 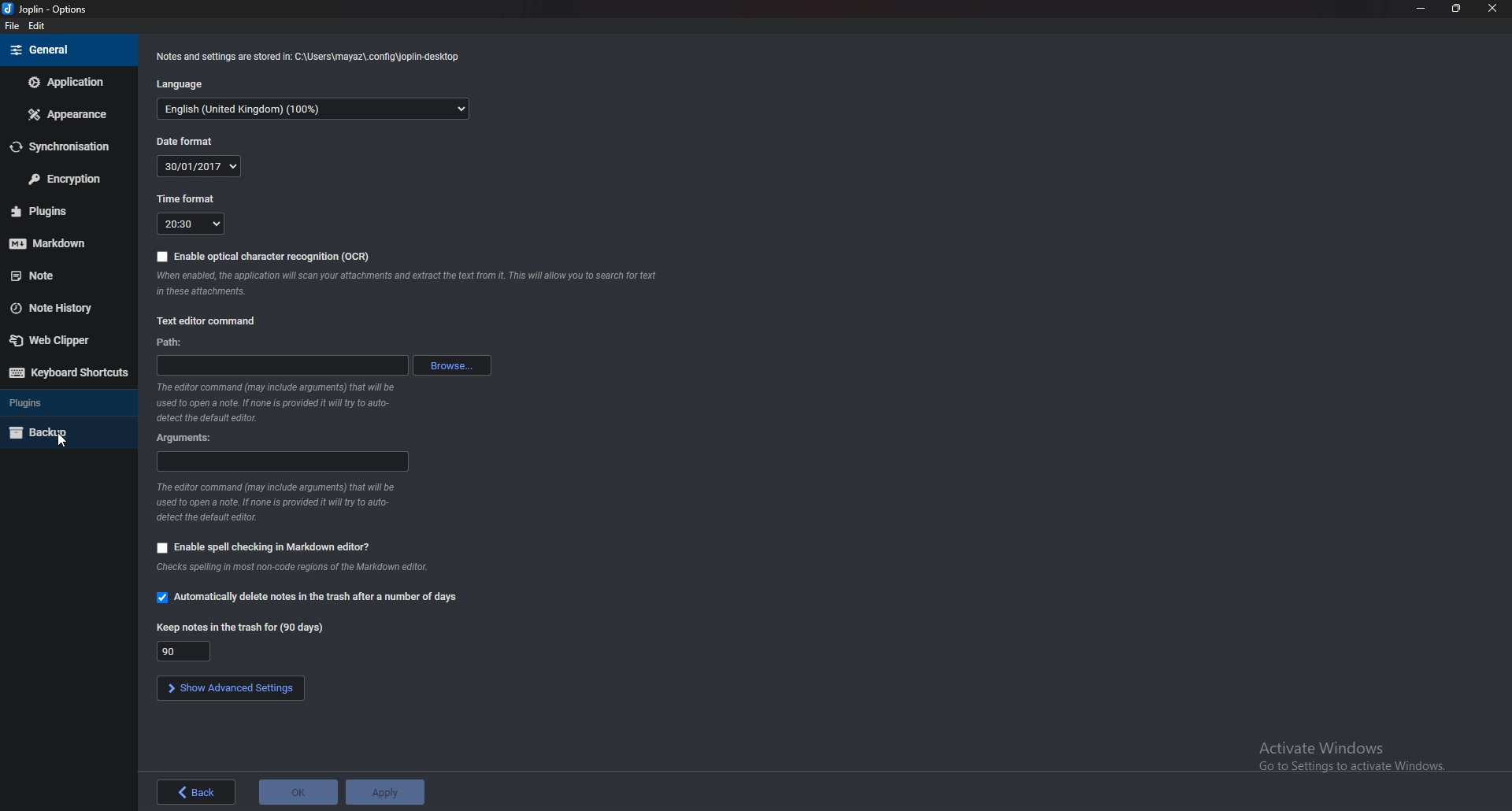 I want to click on 30/01/2017, so click(x=202, y=166).